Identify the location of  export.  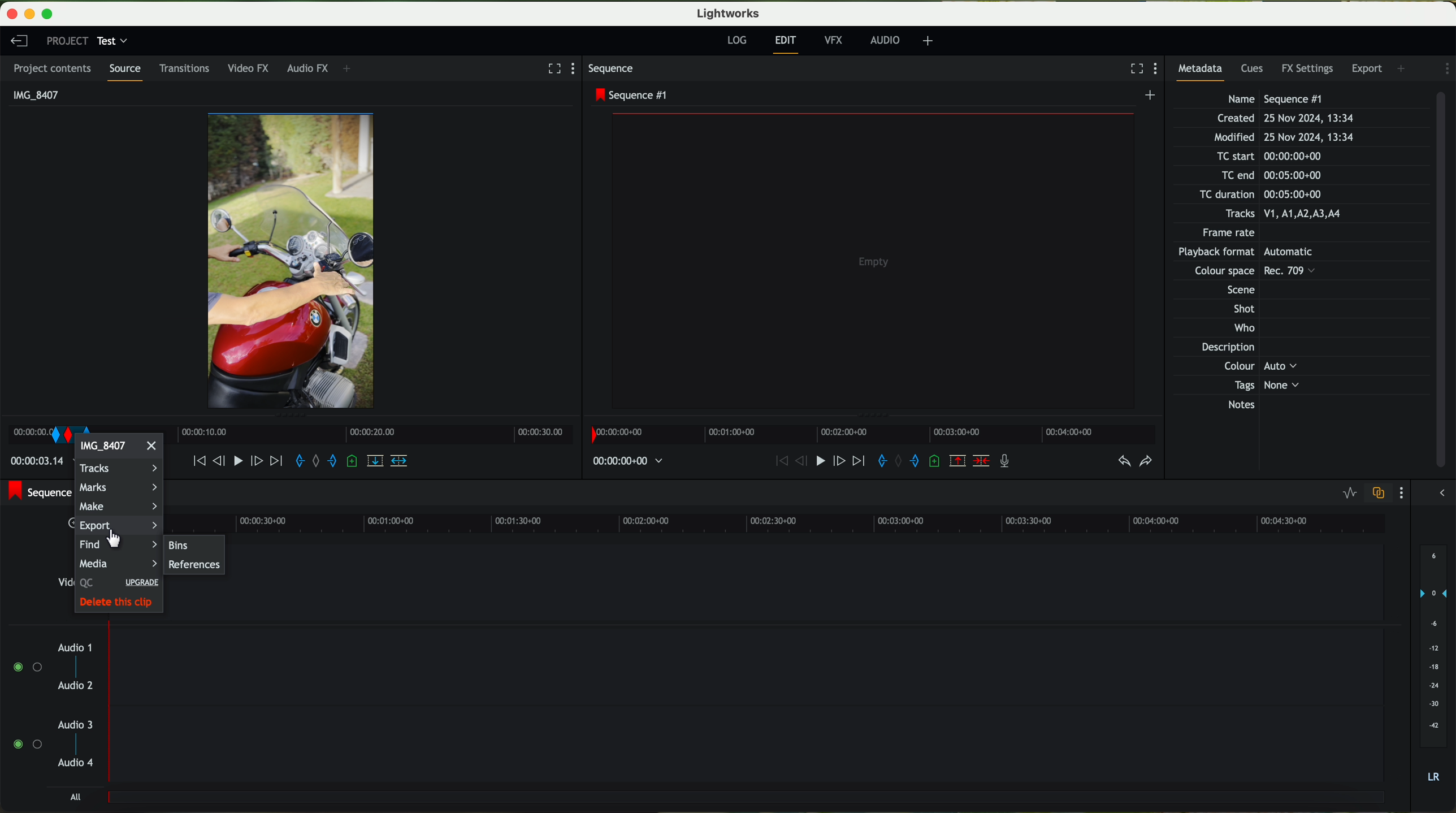
(110, 527).